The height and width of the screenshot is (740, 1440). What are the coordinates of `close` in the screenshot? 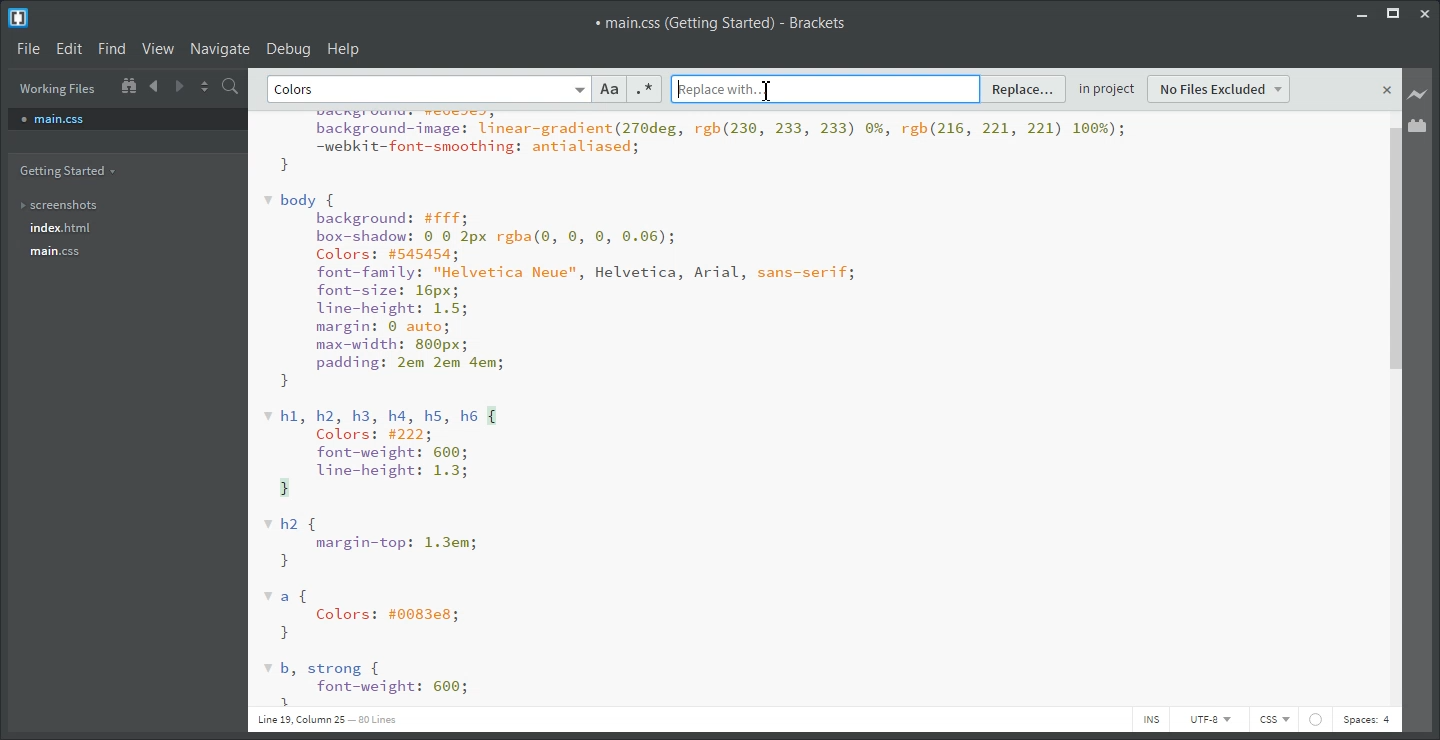 It's located at (1385, 90).